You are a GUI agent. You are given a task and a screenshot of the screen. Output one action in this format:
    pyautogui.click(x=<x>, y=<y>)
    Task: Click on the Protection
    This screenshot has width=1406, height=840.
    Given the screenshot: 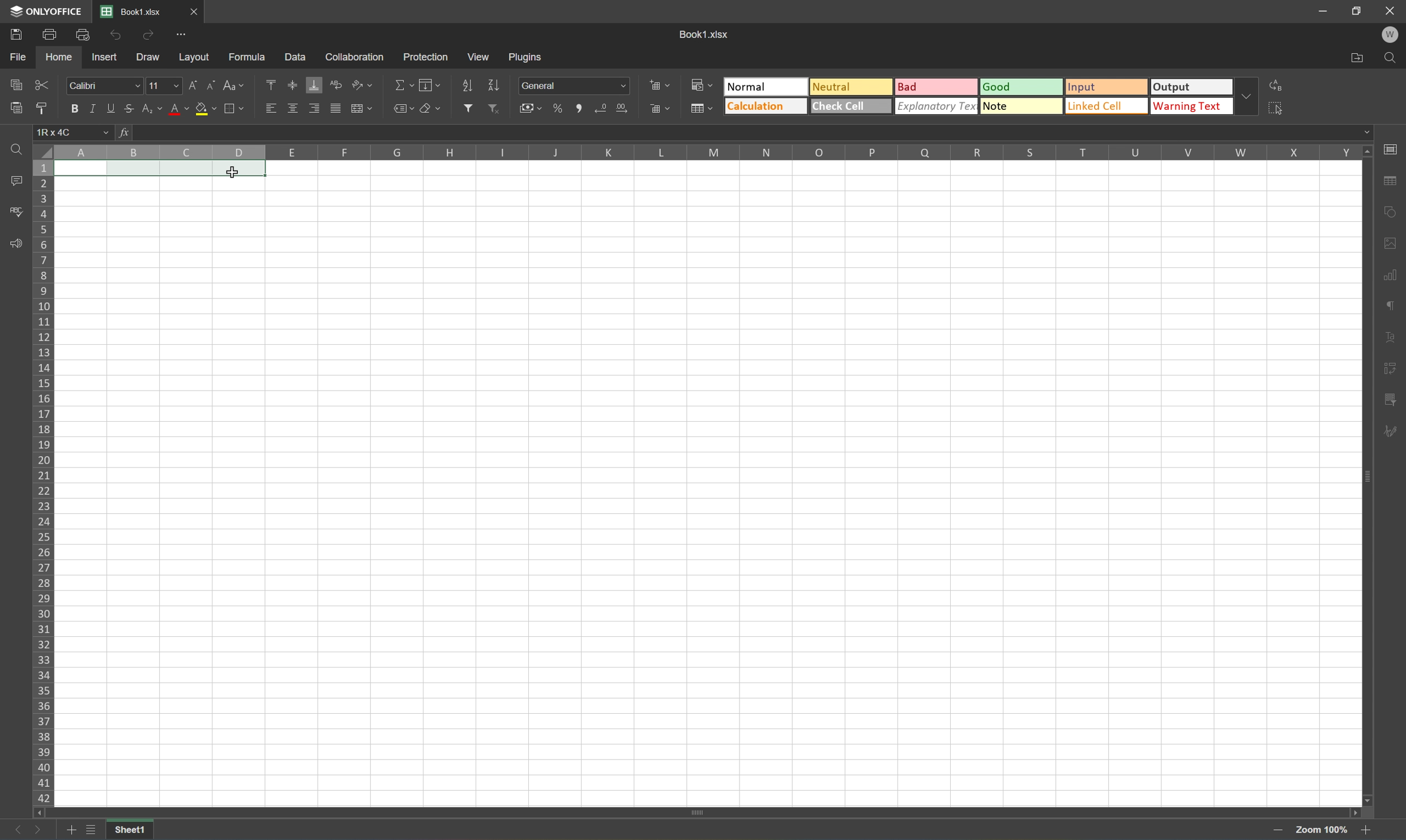 What is the action you would take?
    pyautogui.click(x=425, y=57)
    